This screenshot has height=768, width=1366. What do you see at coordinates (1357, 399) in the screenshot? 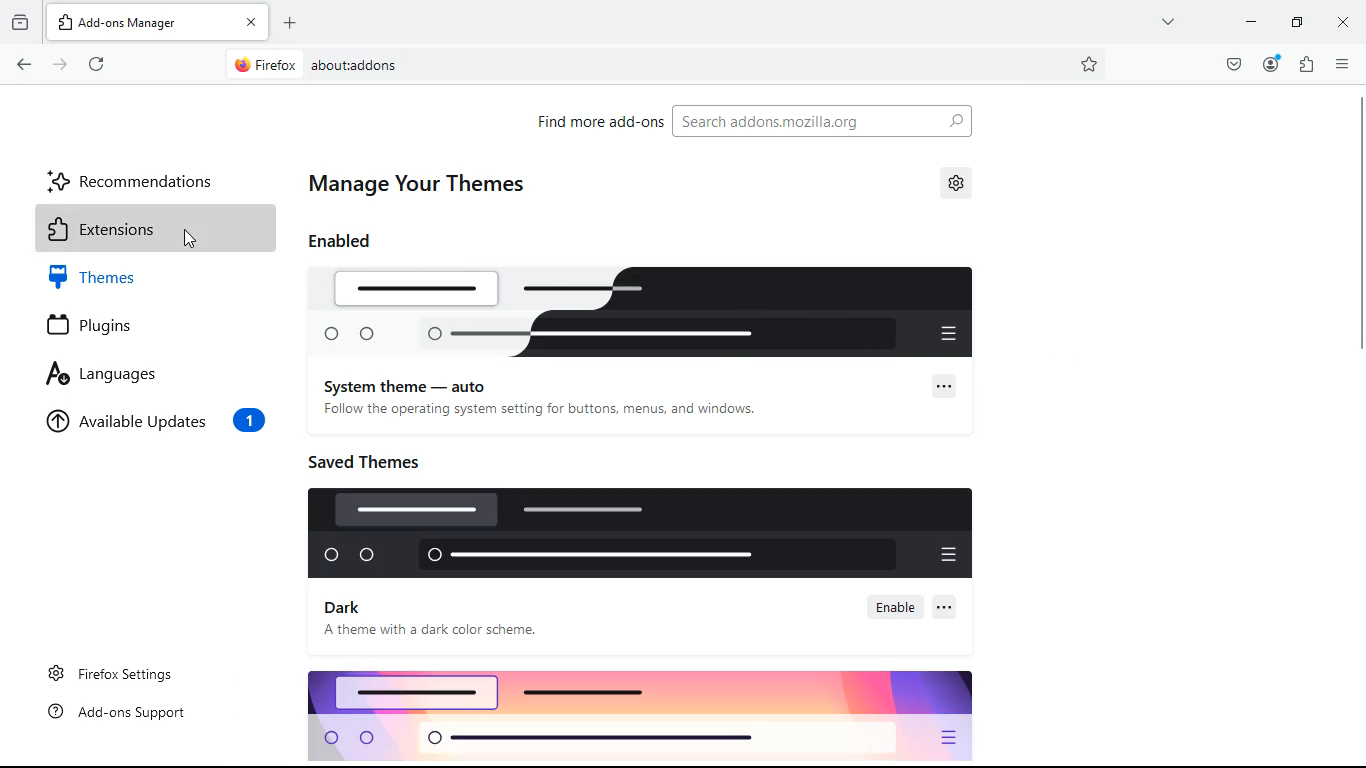
I see `scroll bar` at bounding box center [1357, 399].